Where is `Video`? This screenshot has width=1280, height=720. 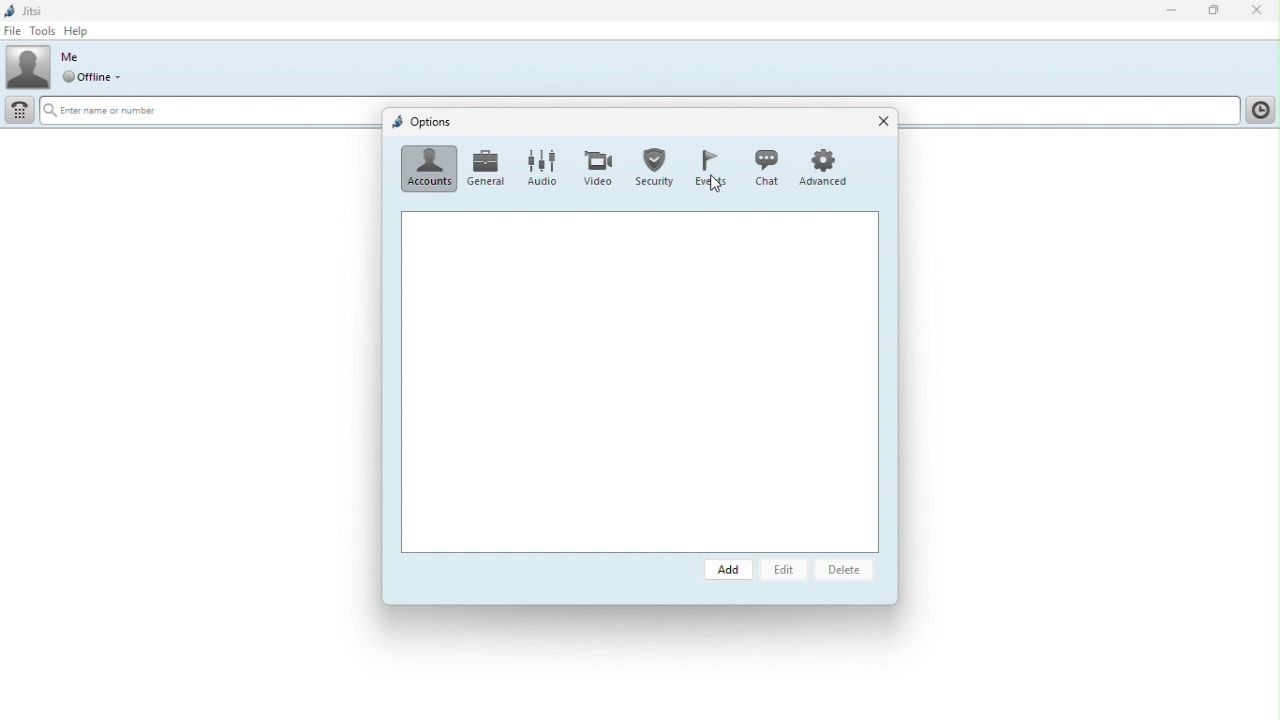
Video is located at coordinates (596, 162).